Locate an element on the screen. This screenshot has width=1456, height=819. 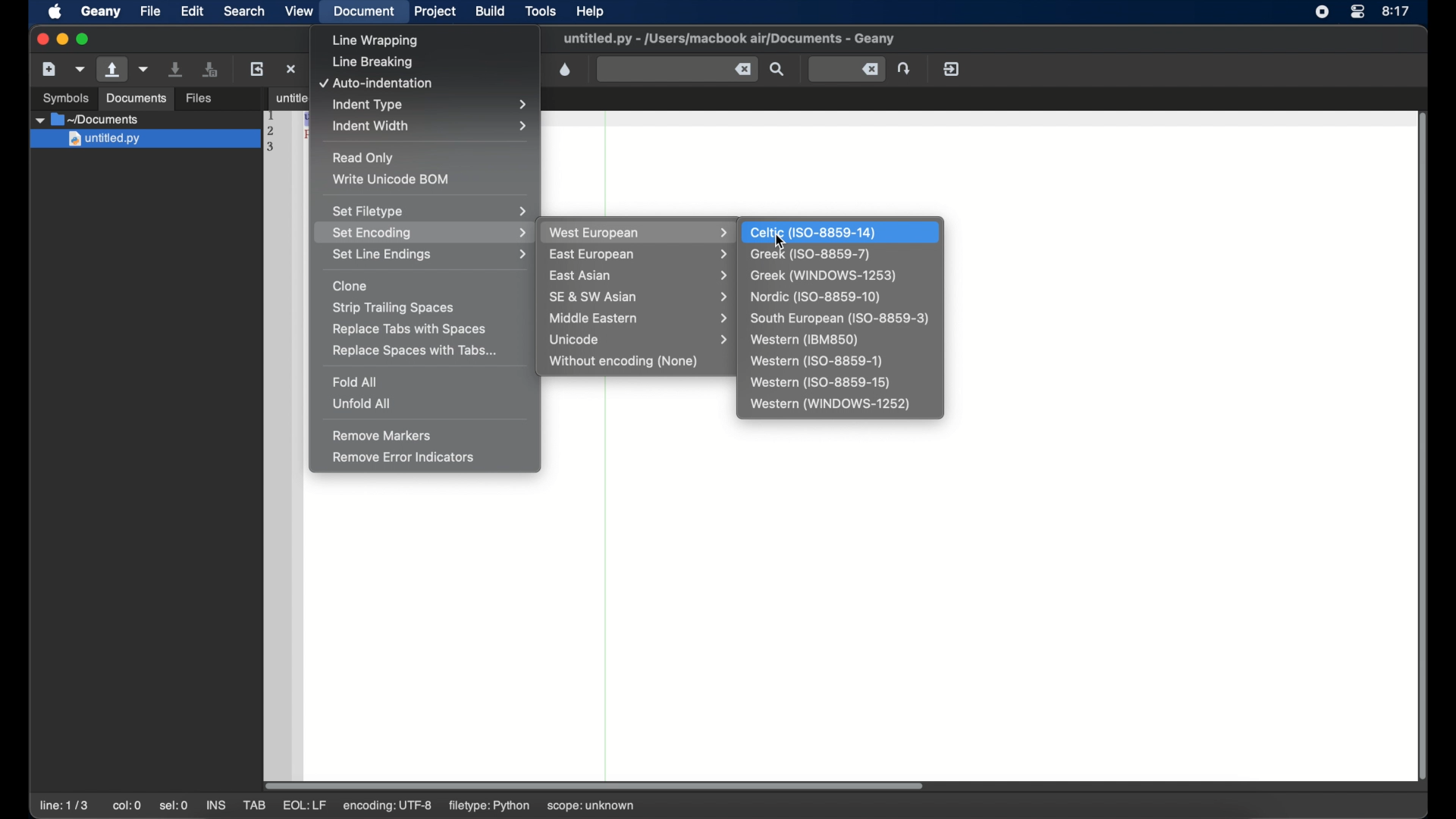
greek is located at coordinates (824, 276).